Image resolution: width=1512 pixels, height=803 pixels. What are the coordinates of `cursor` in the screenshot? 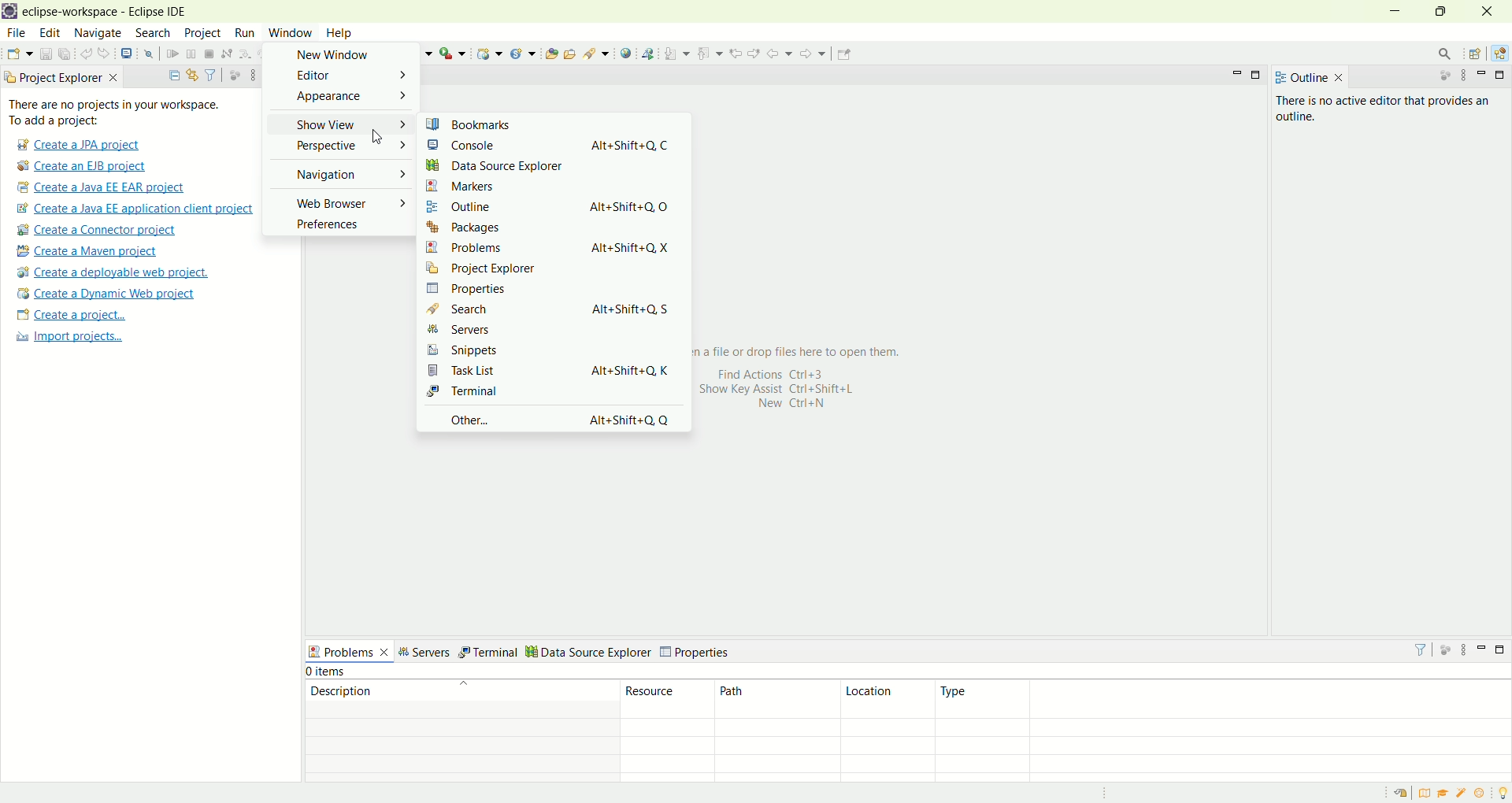 It's located at (379, 138).